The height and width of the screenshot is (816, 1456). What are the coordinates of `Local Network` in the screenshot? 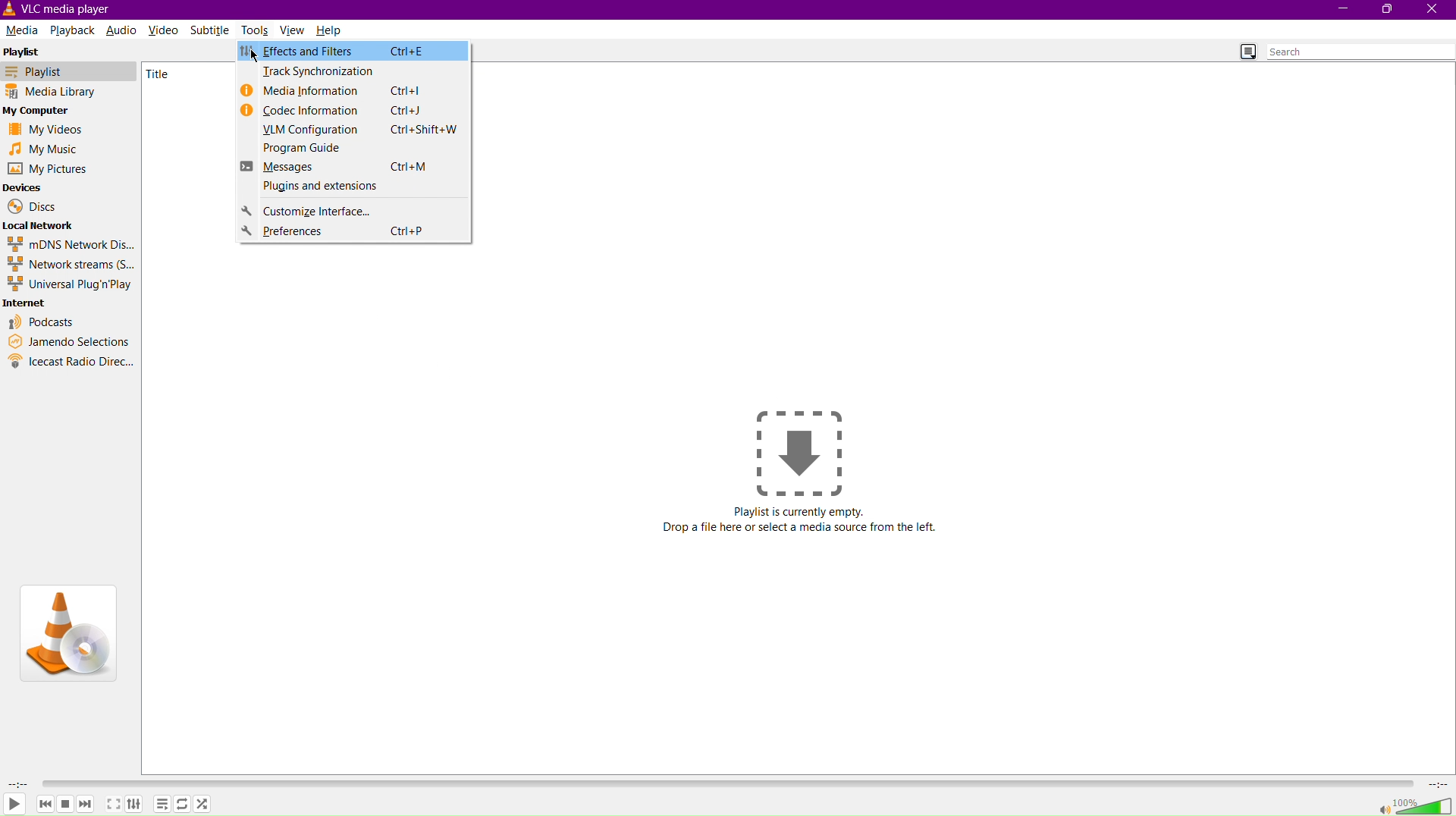 It's located at (40, 225).